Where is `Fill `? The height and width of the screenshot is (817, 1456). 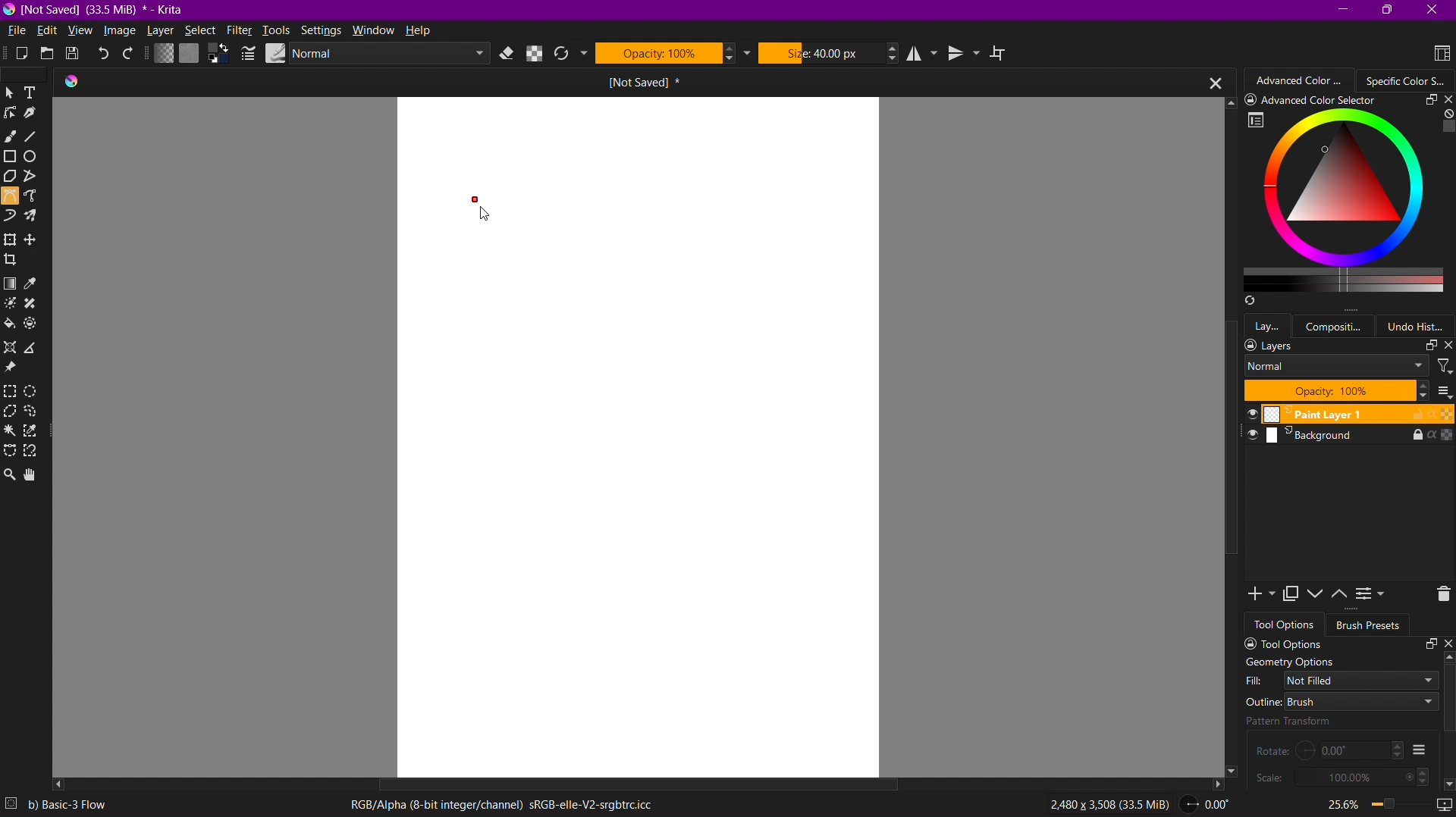 Fill  is located at coordinates (1342, 680).